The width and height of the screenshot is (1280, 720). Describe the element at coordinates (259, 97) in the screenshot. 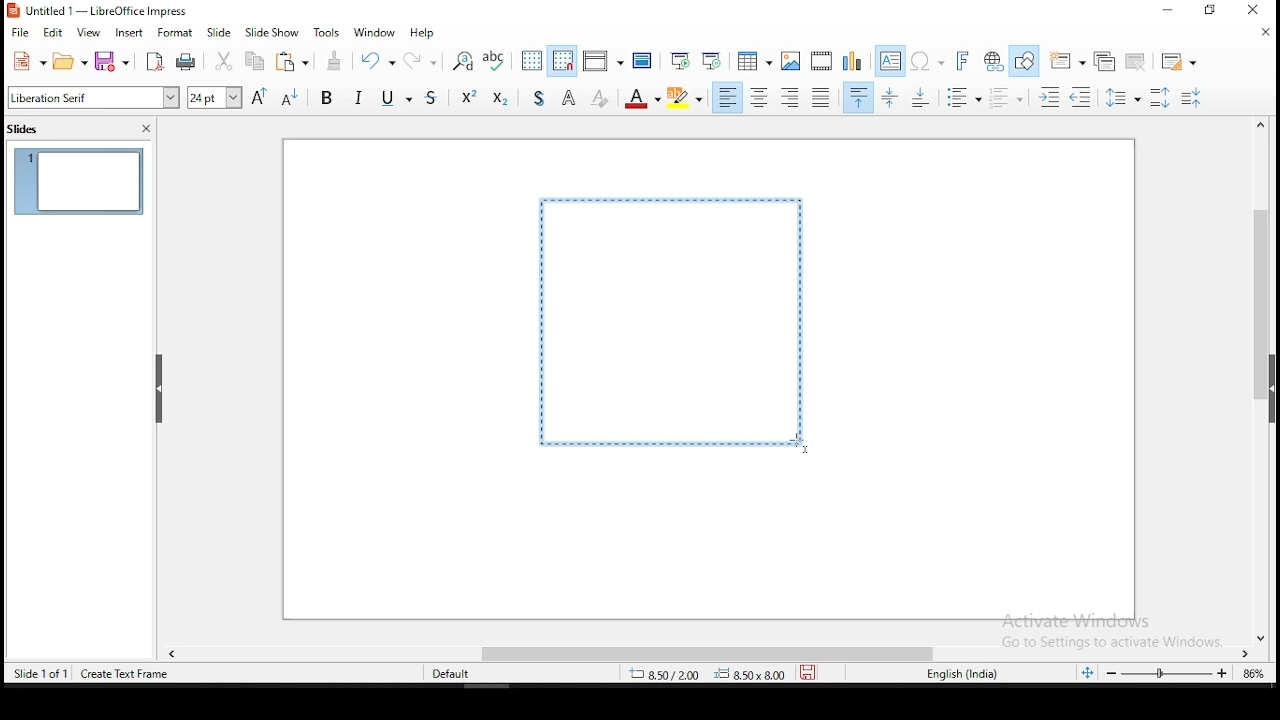

I see `increase font size` at that location.